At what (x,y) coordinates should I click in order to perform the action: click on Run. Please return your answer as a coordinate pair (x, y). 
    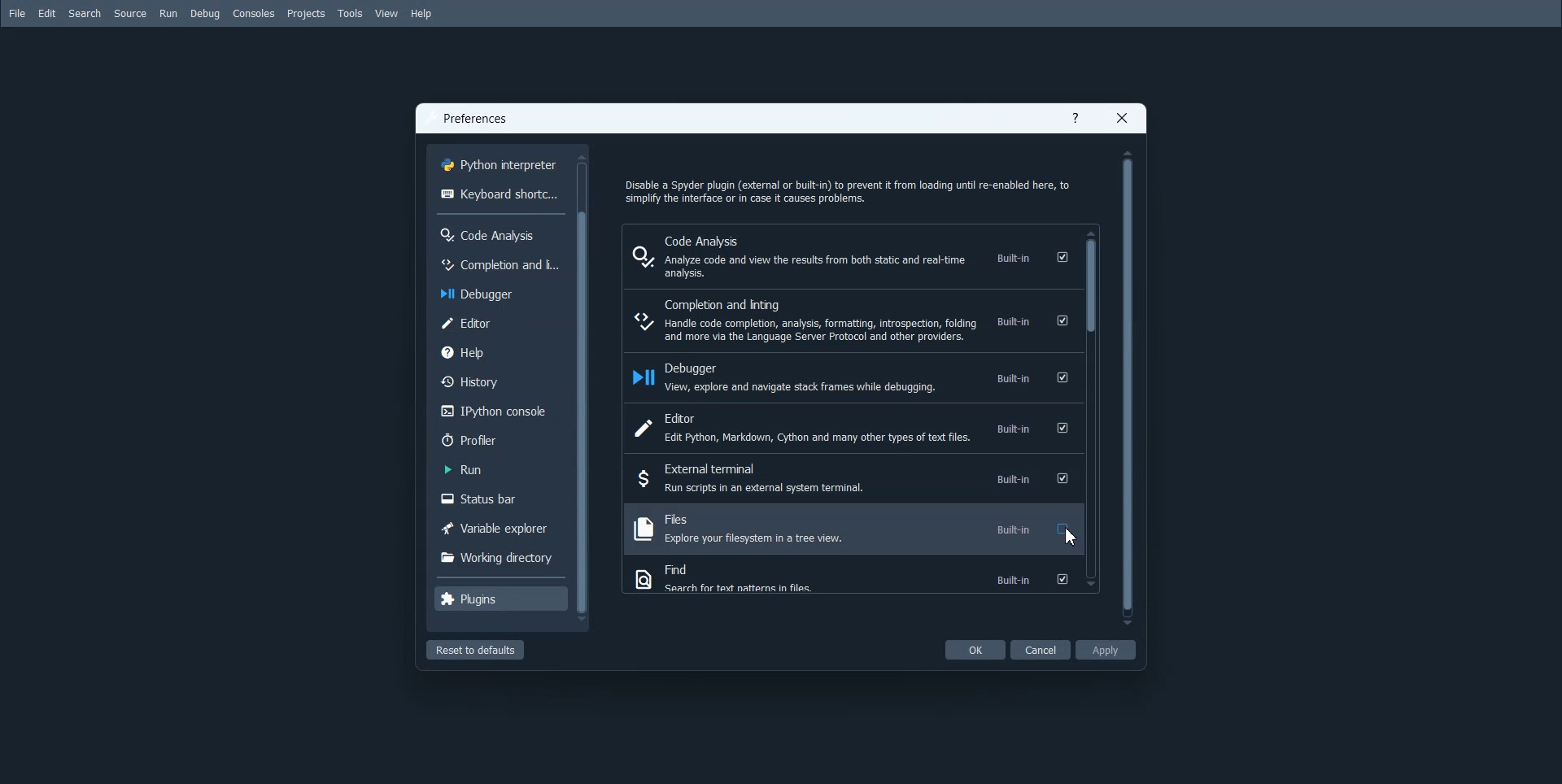
    Looking at the image, I should click on (497, 469).